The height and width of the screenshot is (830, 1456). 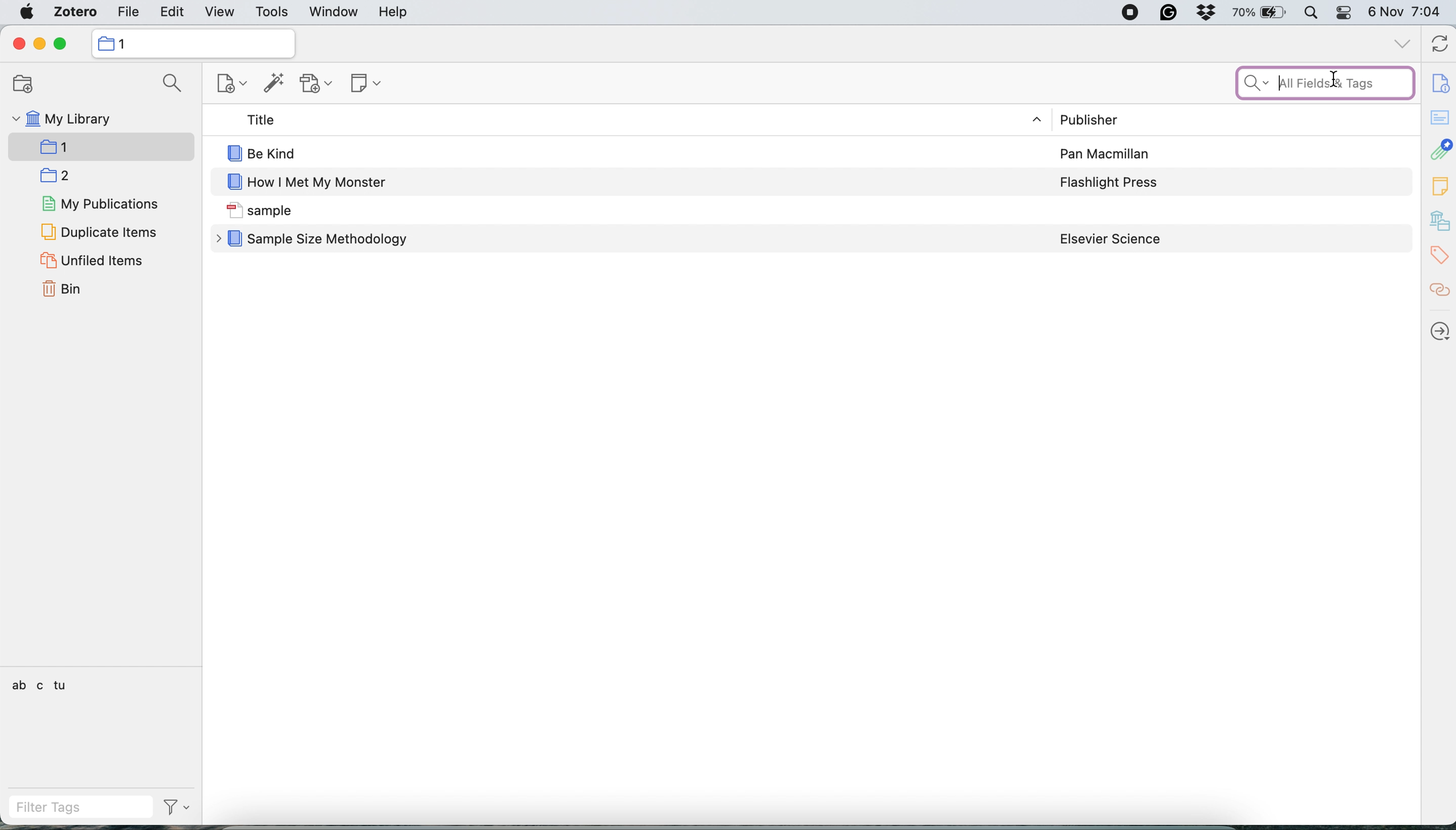 I want to click on filter tags drop down, so click(x=180, y=807).